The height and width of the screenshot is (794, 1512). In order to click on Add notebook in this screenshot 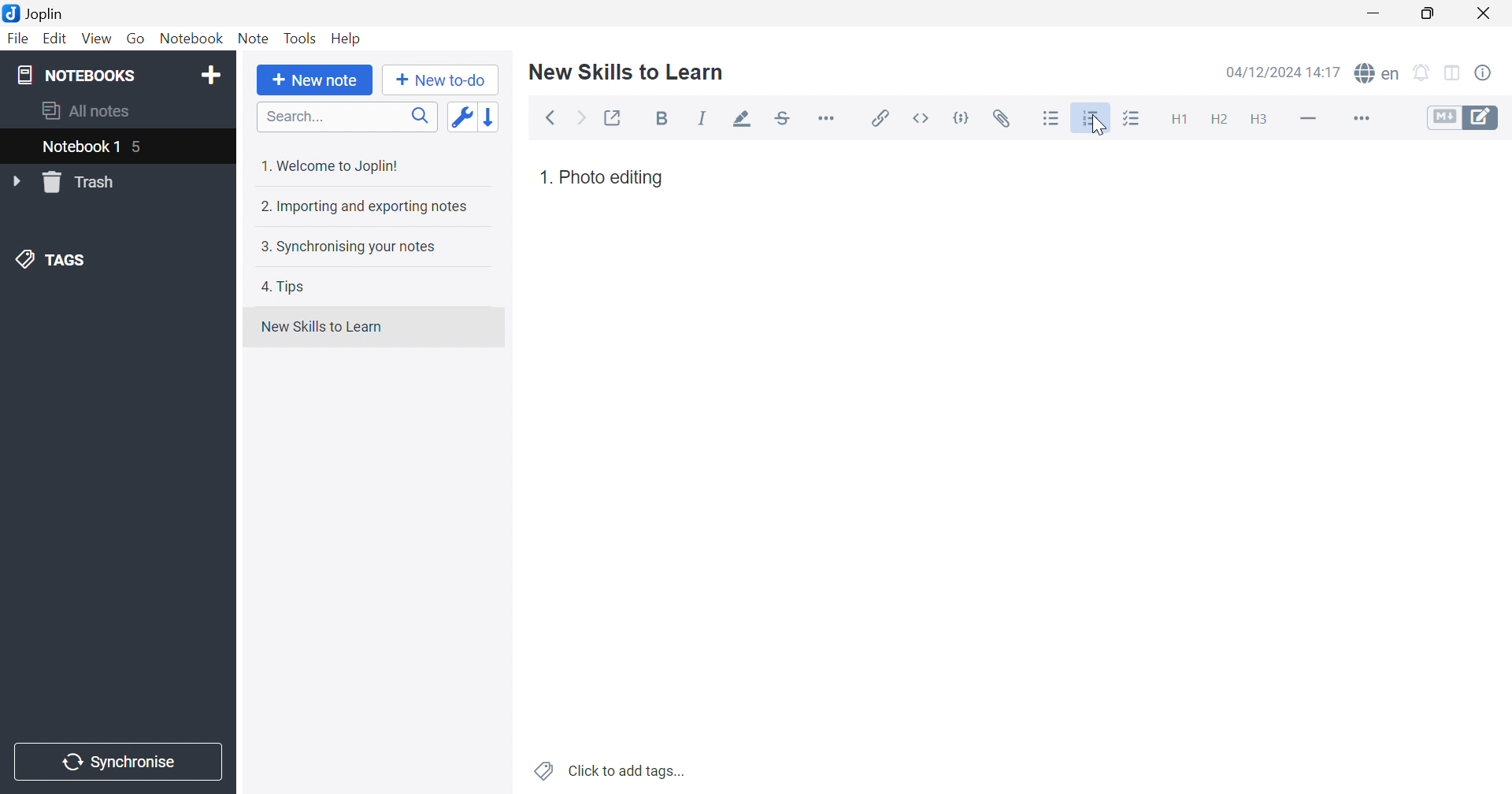, I will do `click(211, 77)`.